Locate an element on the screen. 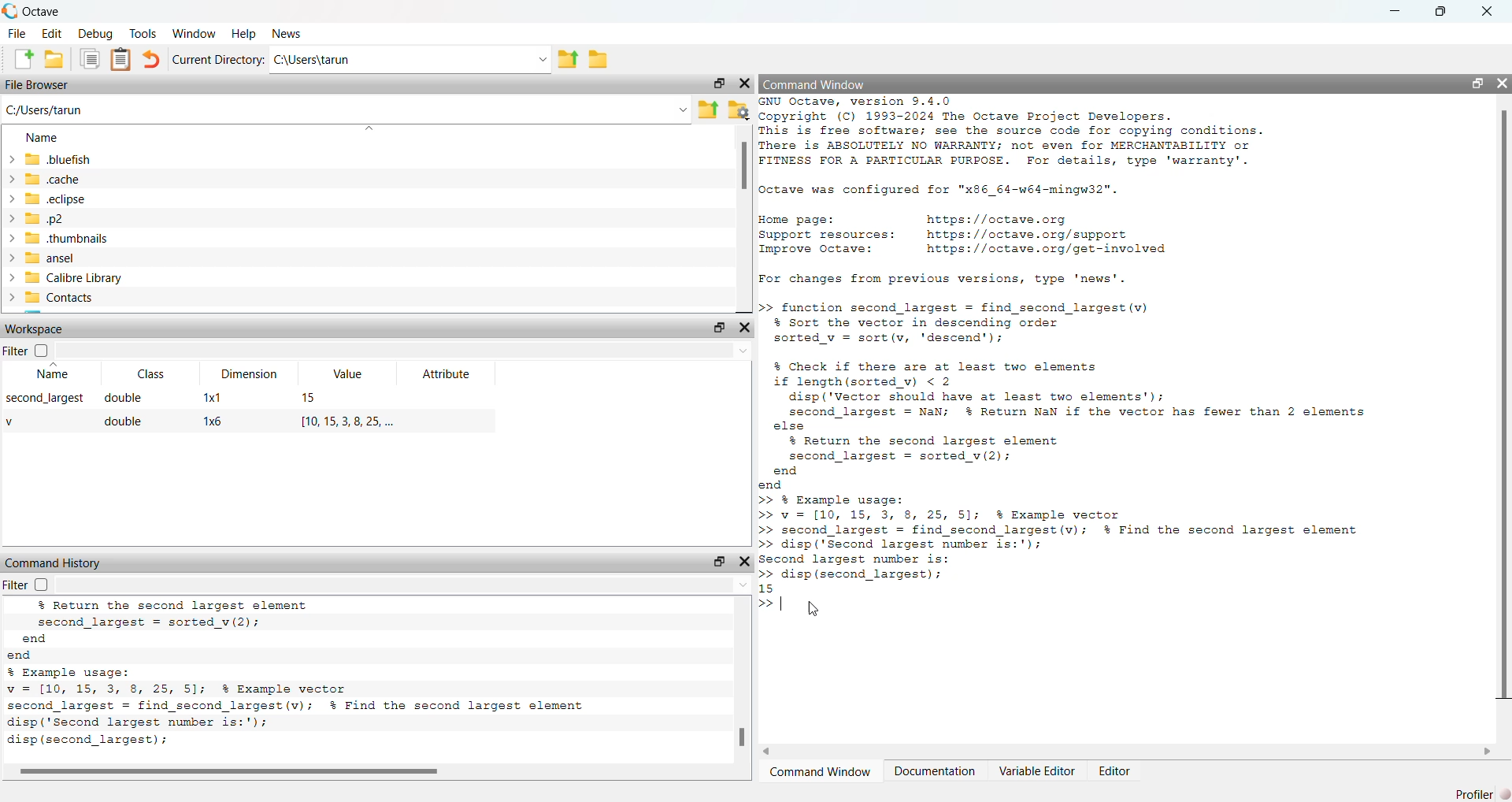 This screenshot has height=802, width=1512. move right is located at coordinates (1488, 750).